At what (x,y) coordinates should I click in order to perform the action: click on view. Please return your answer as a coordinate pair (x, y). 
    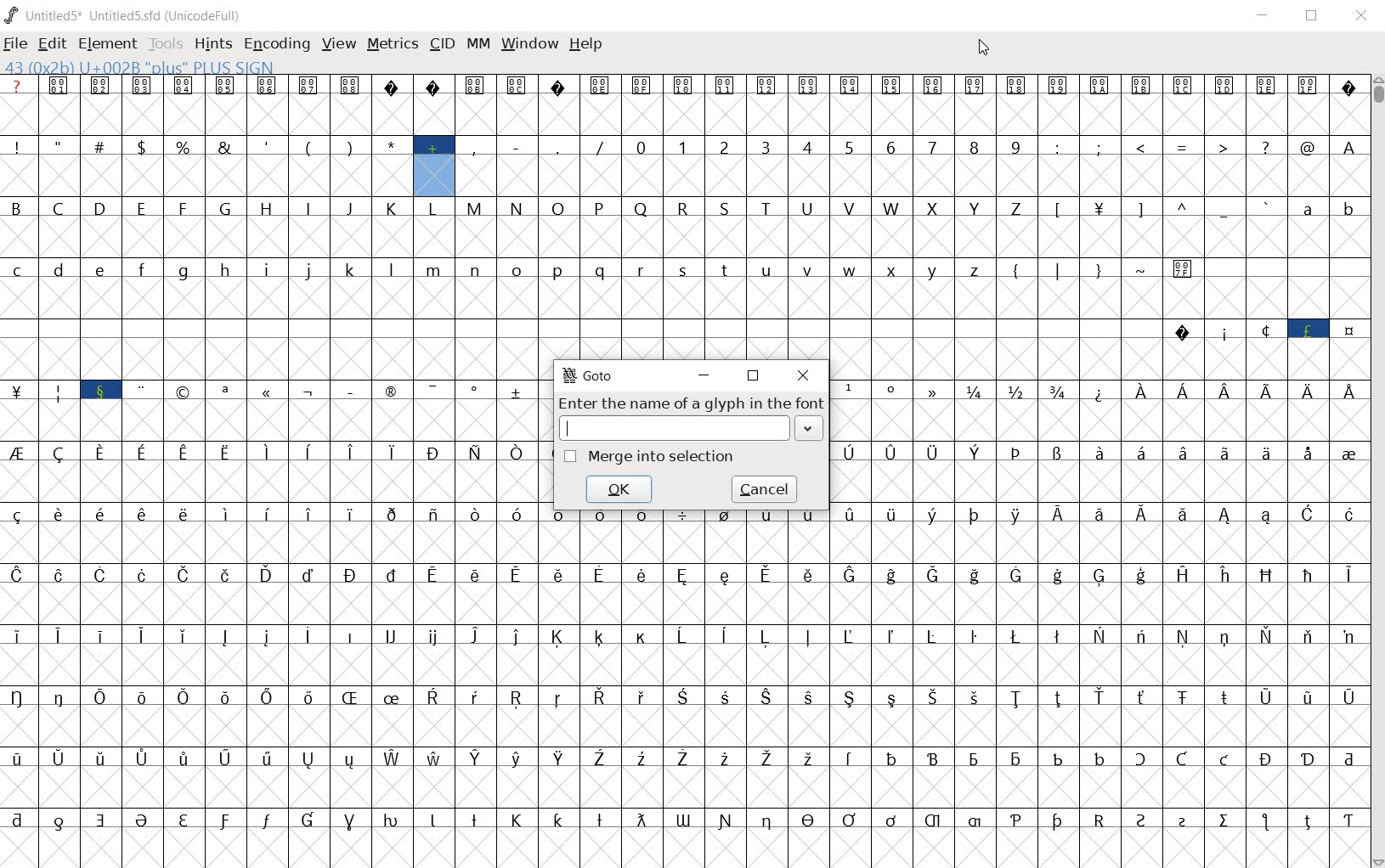
    Looking at the image, I should click on (337, 45).